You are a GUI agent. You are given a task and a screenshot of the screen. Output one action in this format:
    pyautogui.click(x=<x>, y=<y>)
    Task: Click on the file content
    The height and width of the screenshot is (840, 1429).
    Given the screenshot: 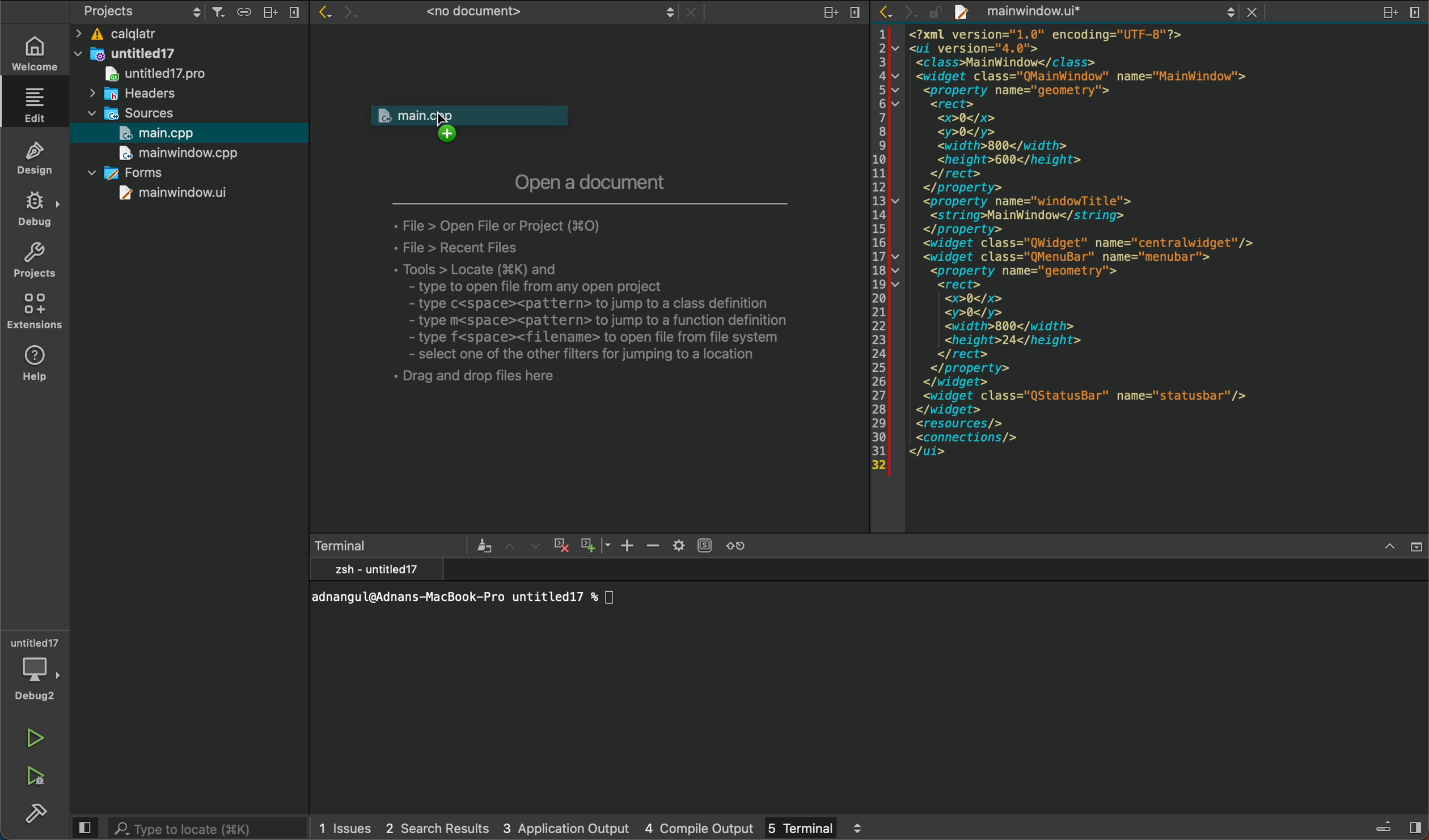 What is the action you would take?
    pyautogui.click(x=1162, y=278)
    